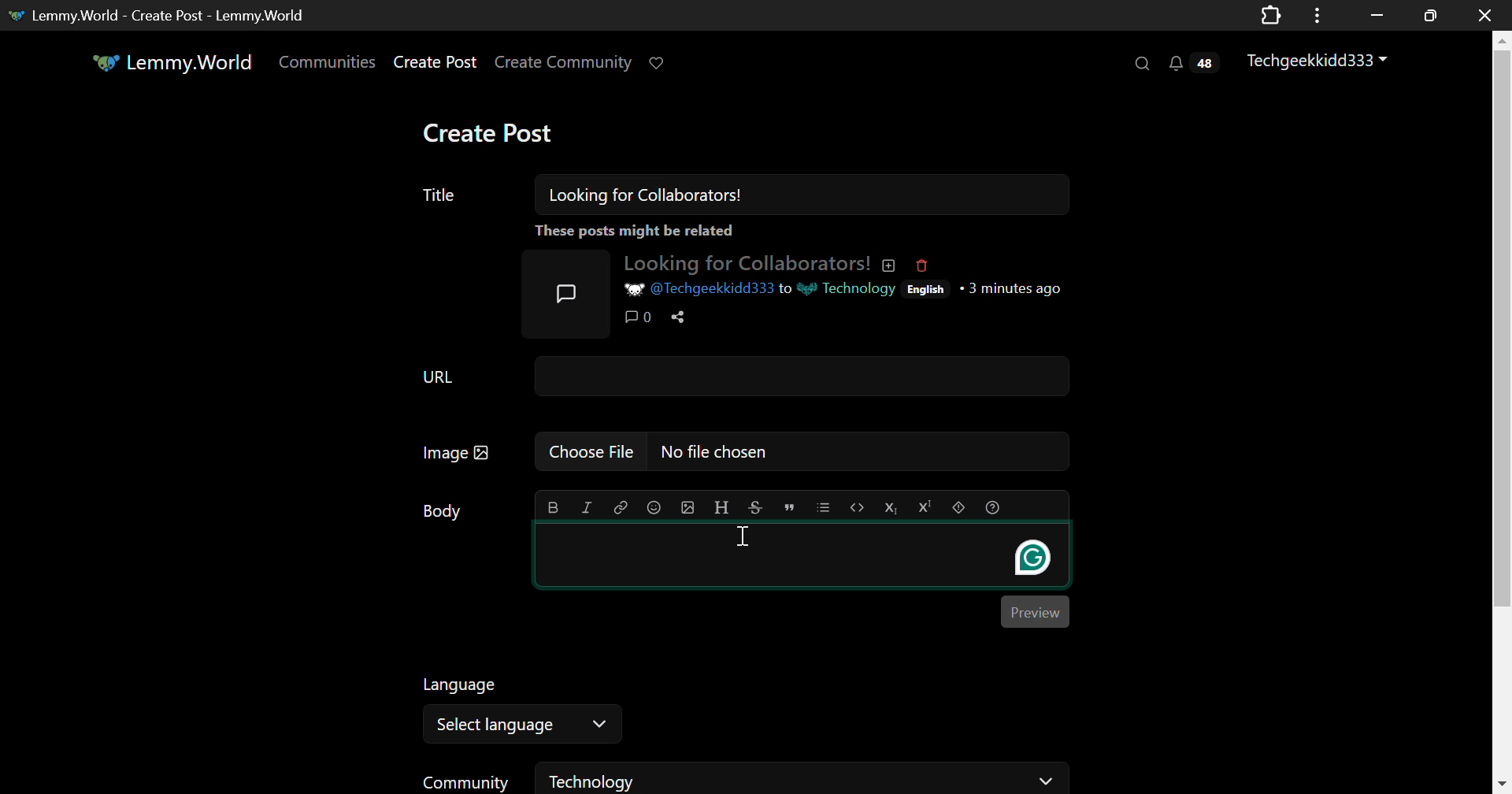  What do you see at coordinates (823, 508) in the screenshot?
I see `list` at bounding box center [823, 508].